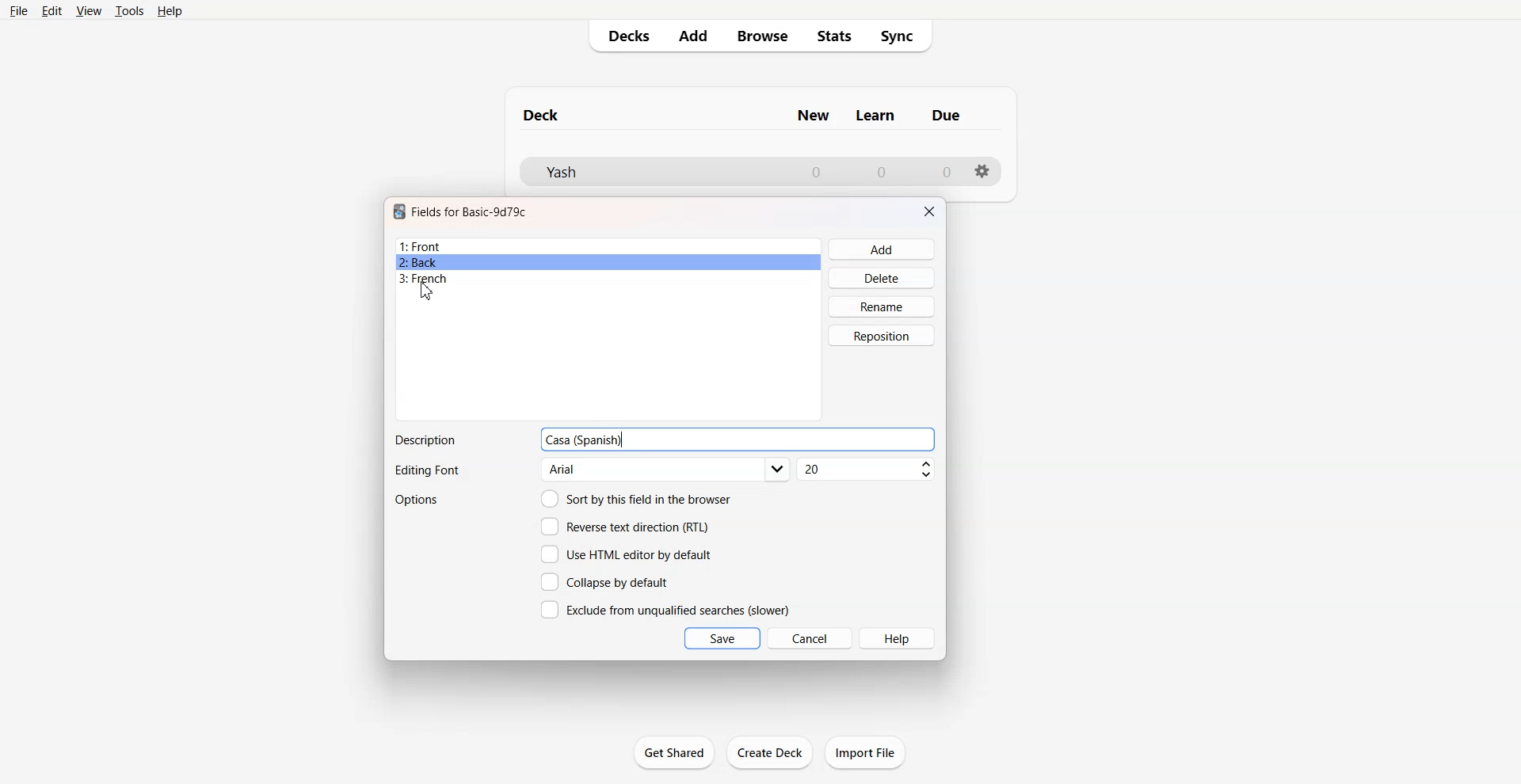 Image resolution: width=1521 pixels, height=784 pixels. I want to click on Reposition, so click(882, 336).